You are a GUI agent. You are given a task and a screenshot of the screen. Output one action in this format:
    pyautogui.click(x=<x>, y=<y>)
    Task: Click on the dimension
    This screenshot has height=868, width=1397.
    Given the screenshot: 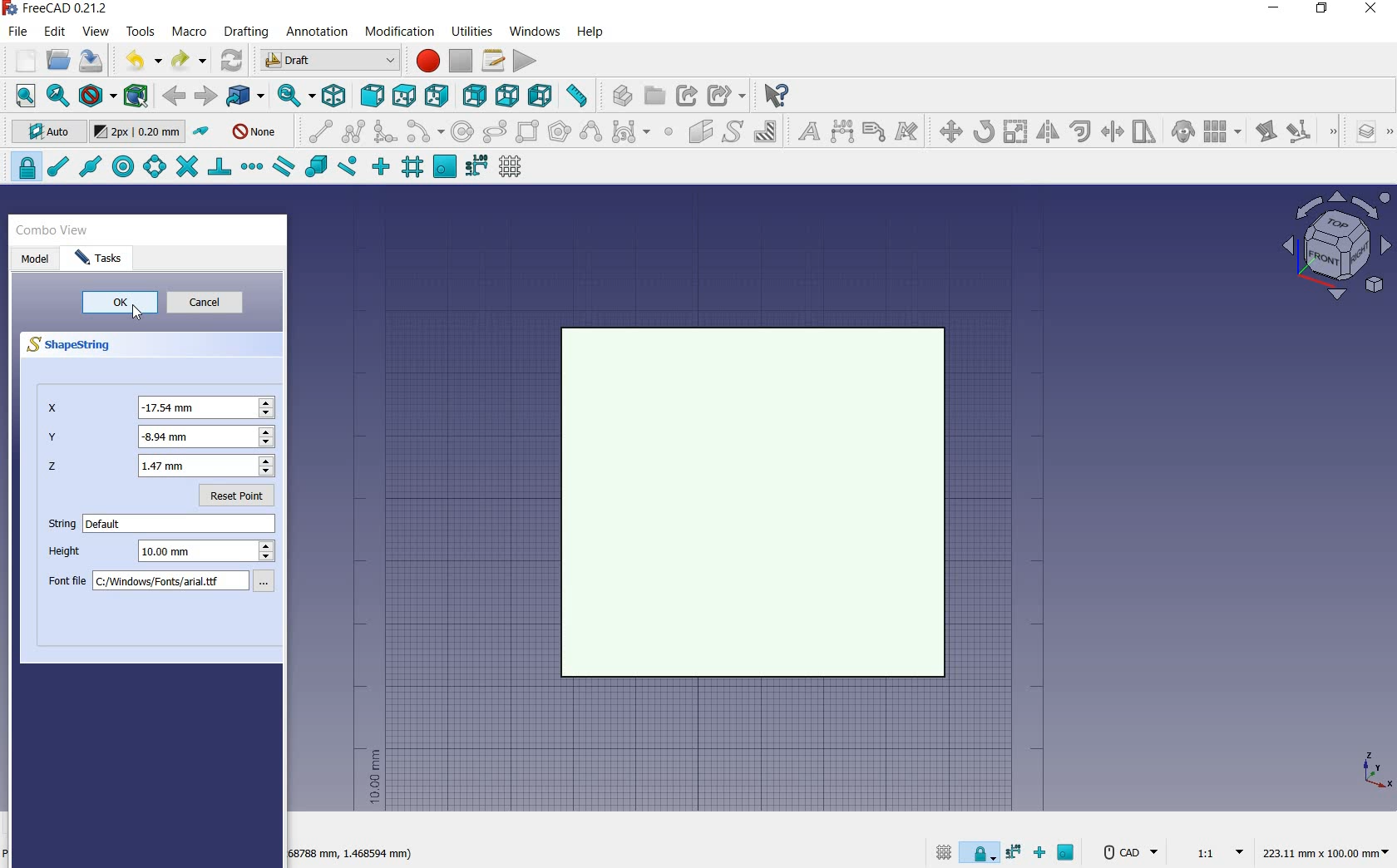 What is the action you would take?
    pyautogui.click(x=1330, y=854)
    